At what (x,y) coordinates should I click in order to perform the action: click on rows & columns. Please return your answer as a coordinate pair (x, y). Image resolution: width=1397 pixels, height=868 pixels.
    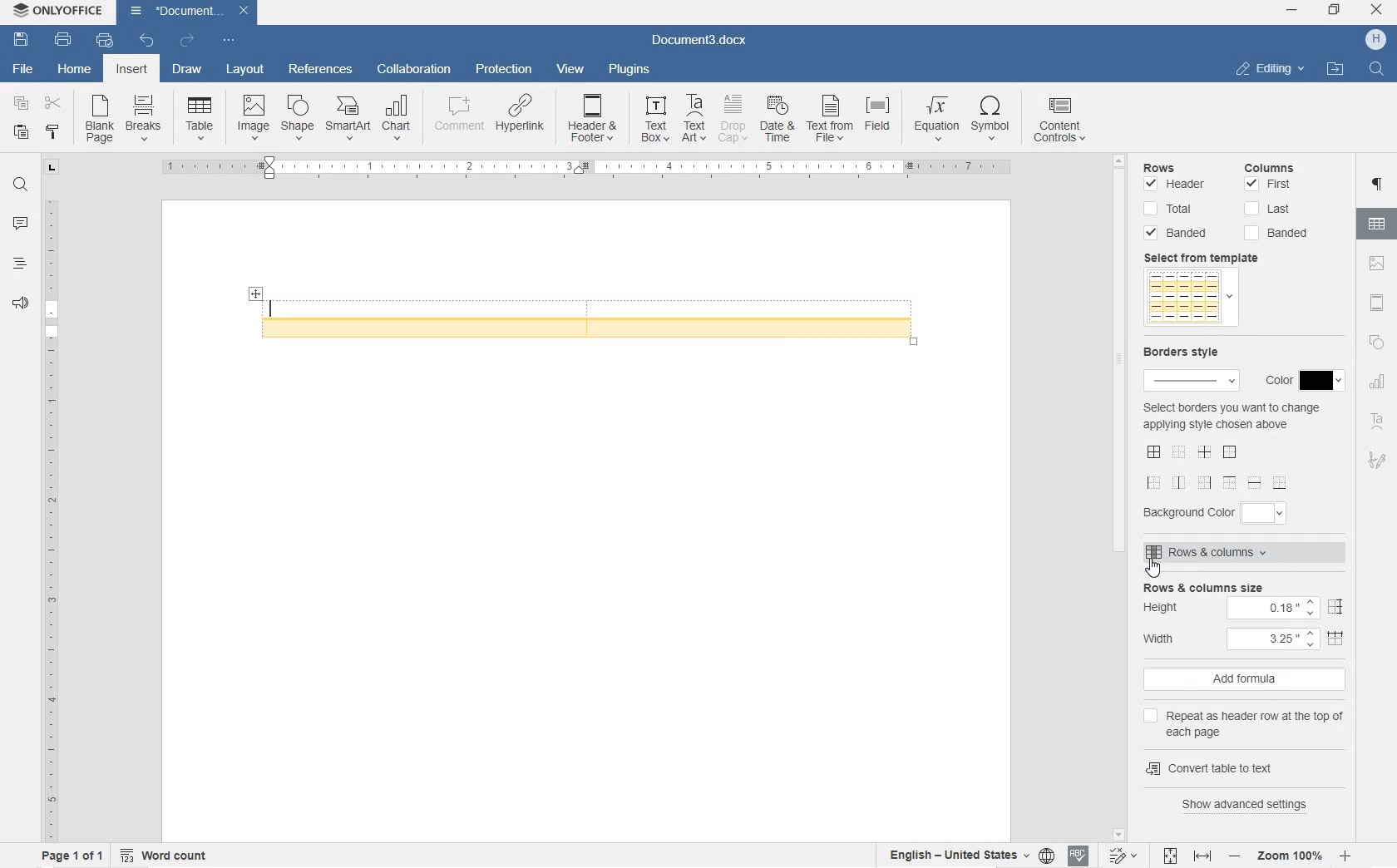
    Looking at the image, I should click on (1237, 555).